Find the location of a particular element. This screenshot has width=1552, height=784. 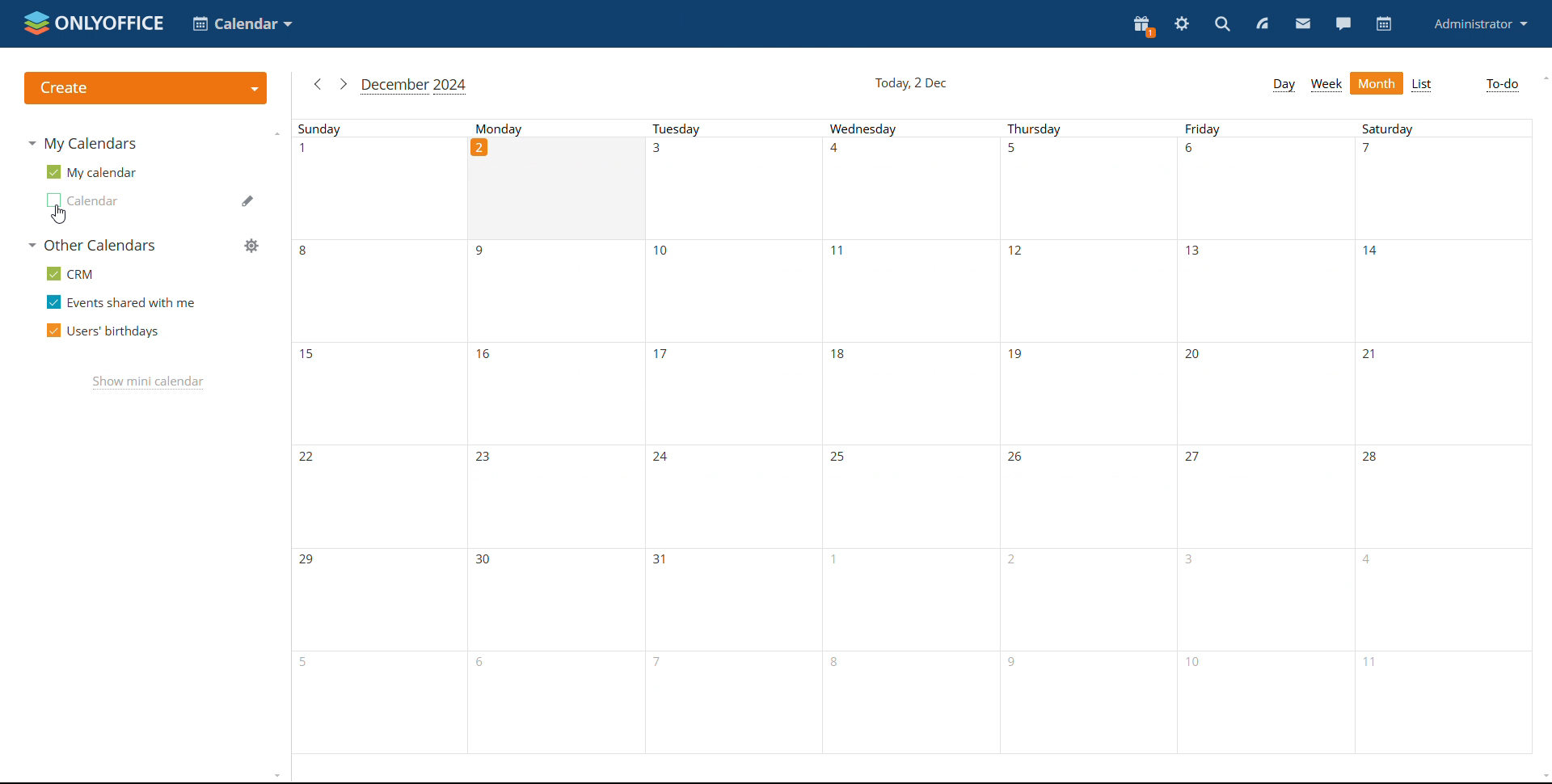

events shared with me is located at coordinates (121, 301).